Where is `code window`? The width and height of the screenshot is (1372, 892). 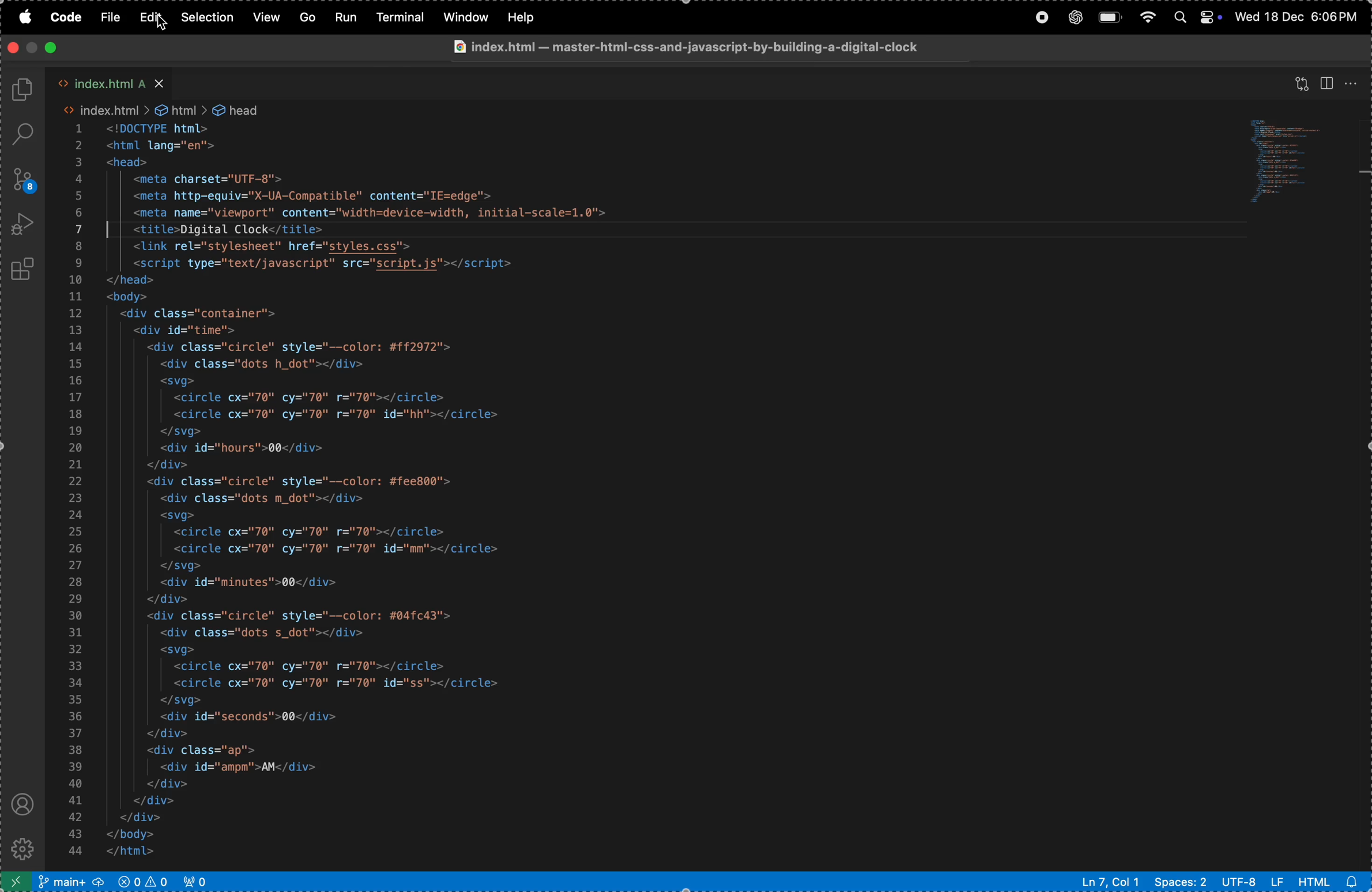 code window is located at coordinates (1291, 165).